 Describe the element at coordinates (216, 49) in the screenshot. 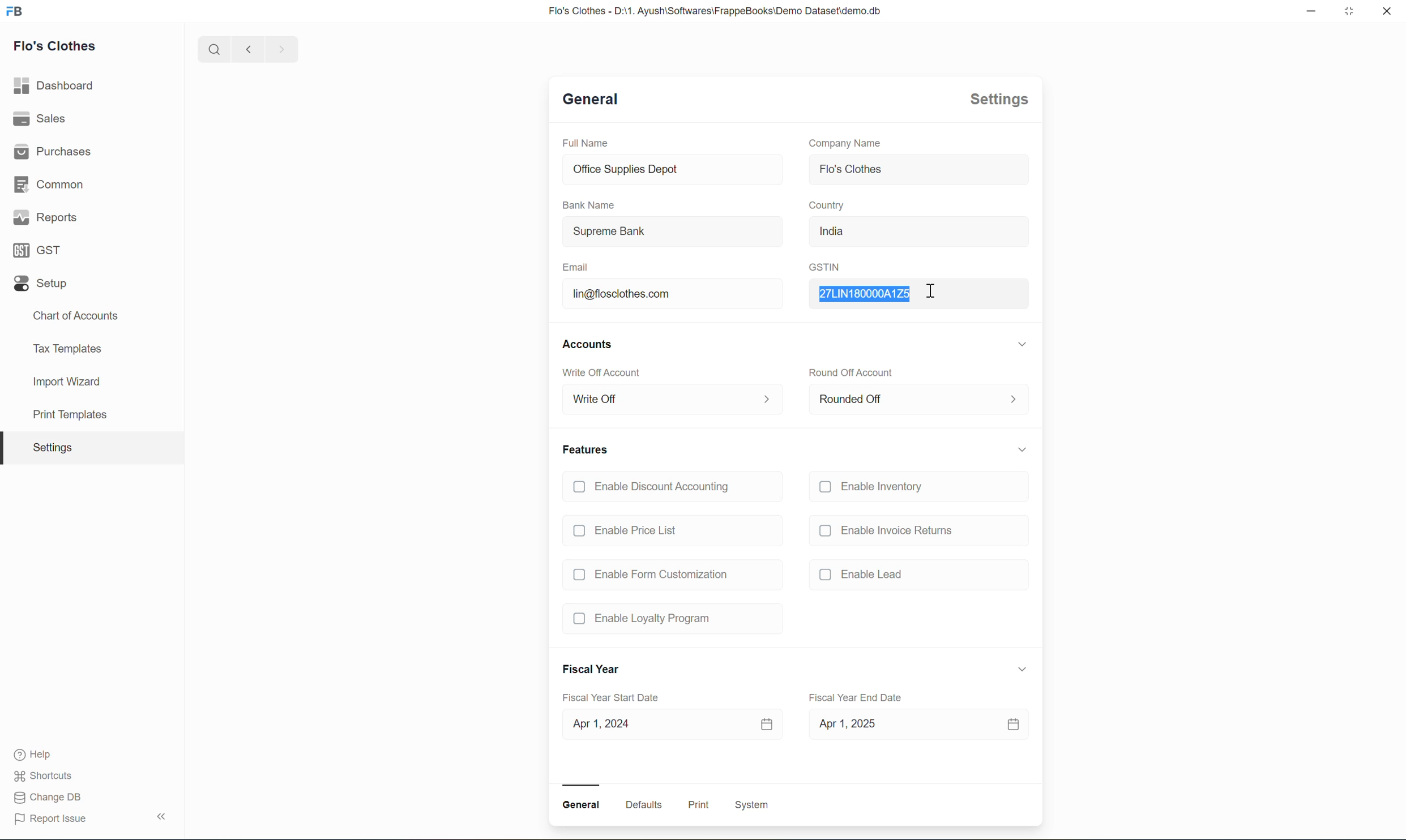

I see `search` at that location.